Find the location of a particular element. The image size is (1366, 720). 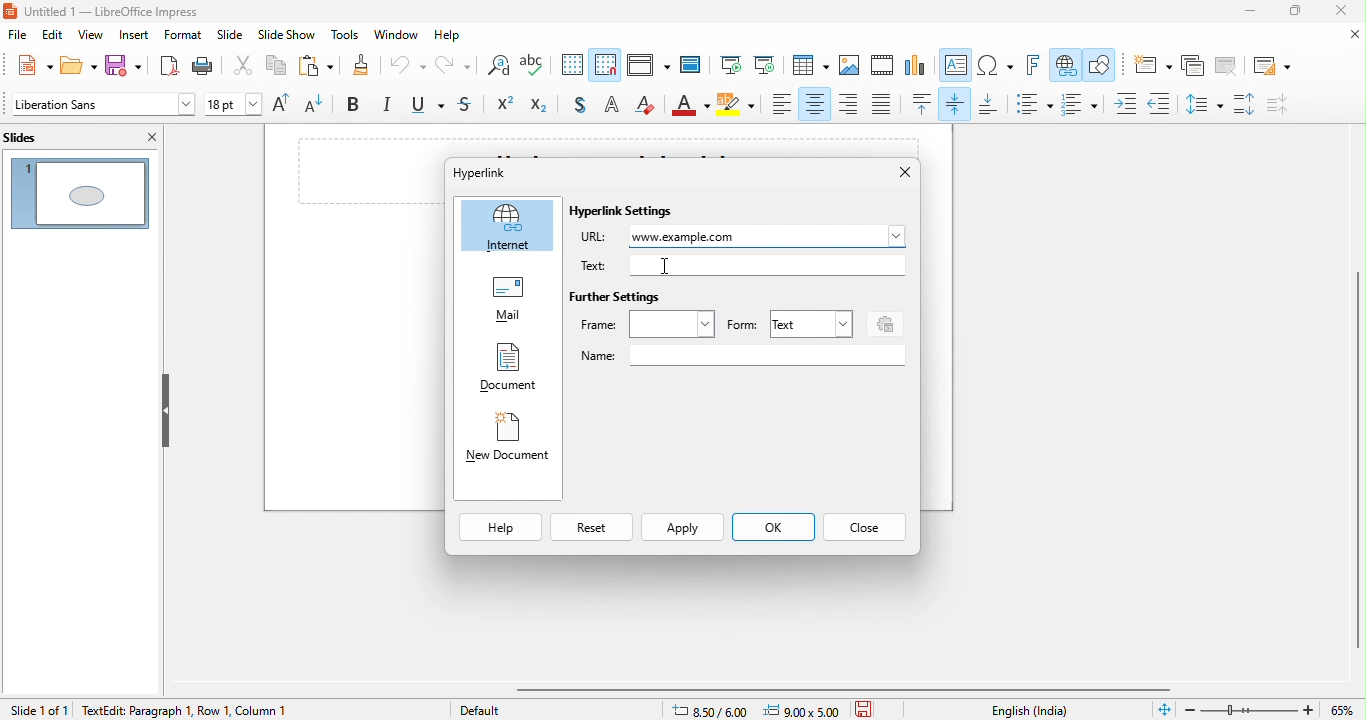

toggle ordered list is located at coordinates (1083, 104).